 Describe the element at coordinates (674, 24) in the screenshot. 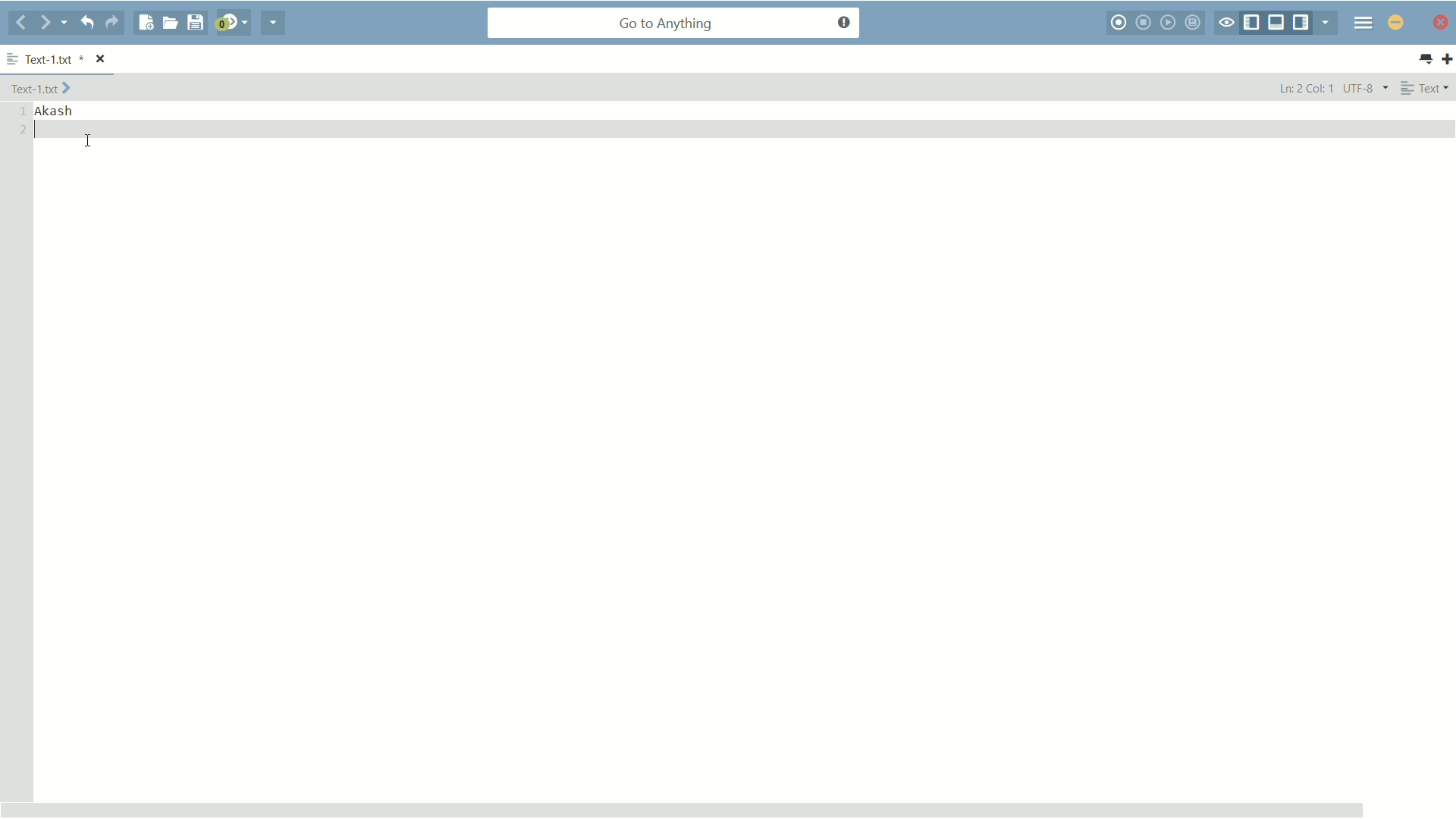

I see `go to anything search bar` at that location.